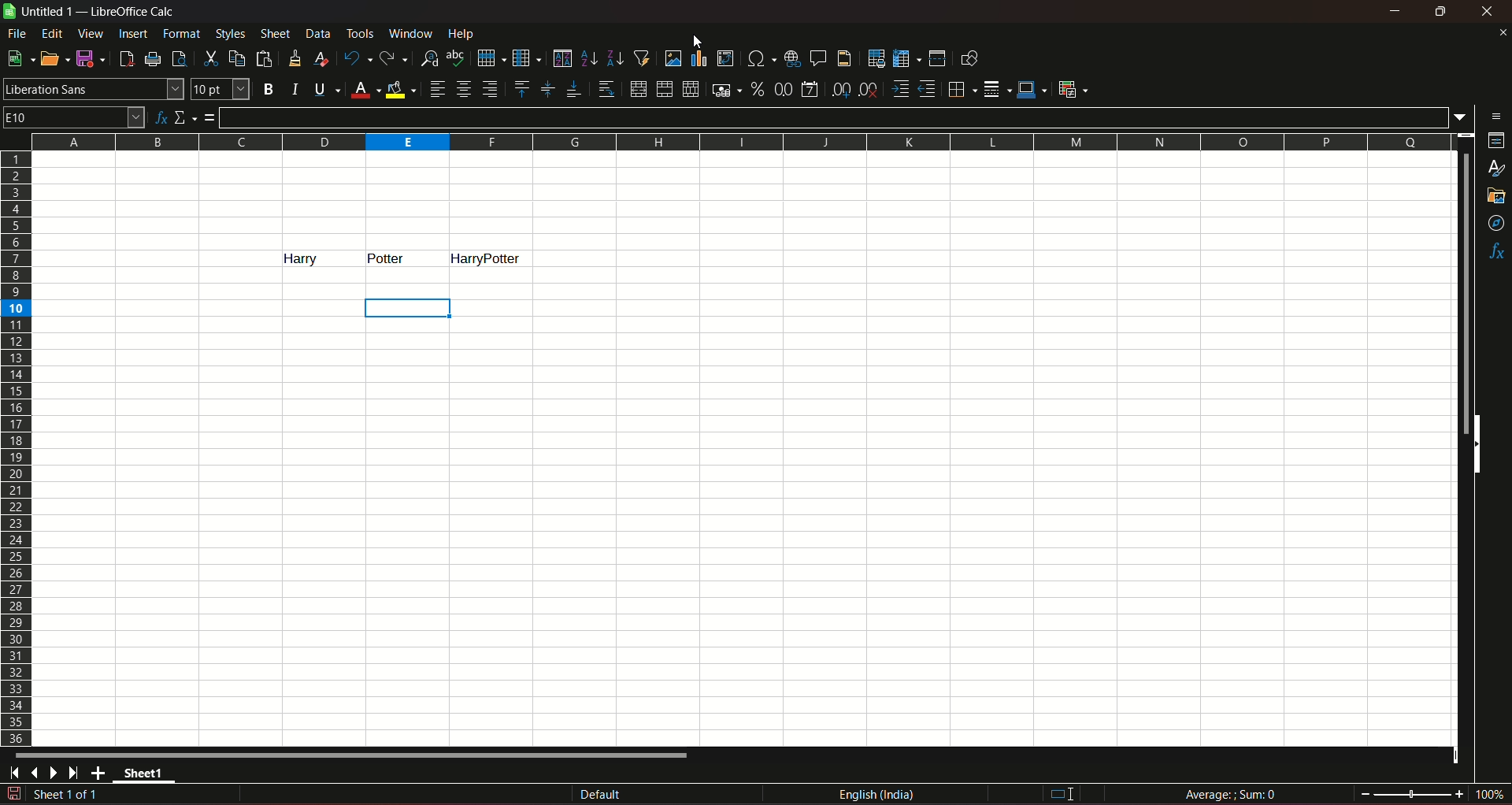  Describe the element at coordinates (16, 793) in the screenshot. I see `document modified` at that location.